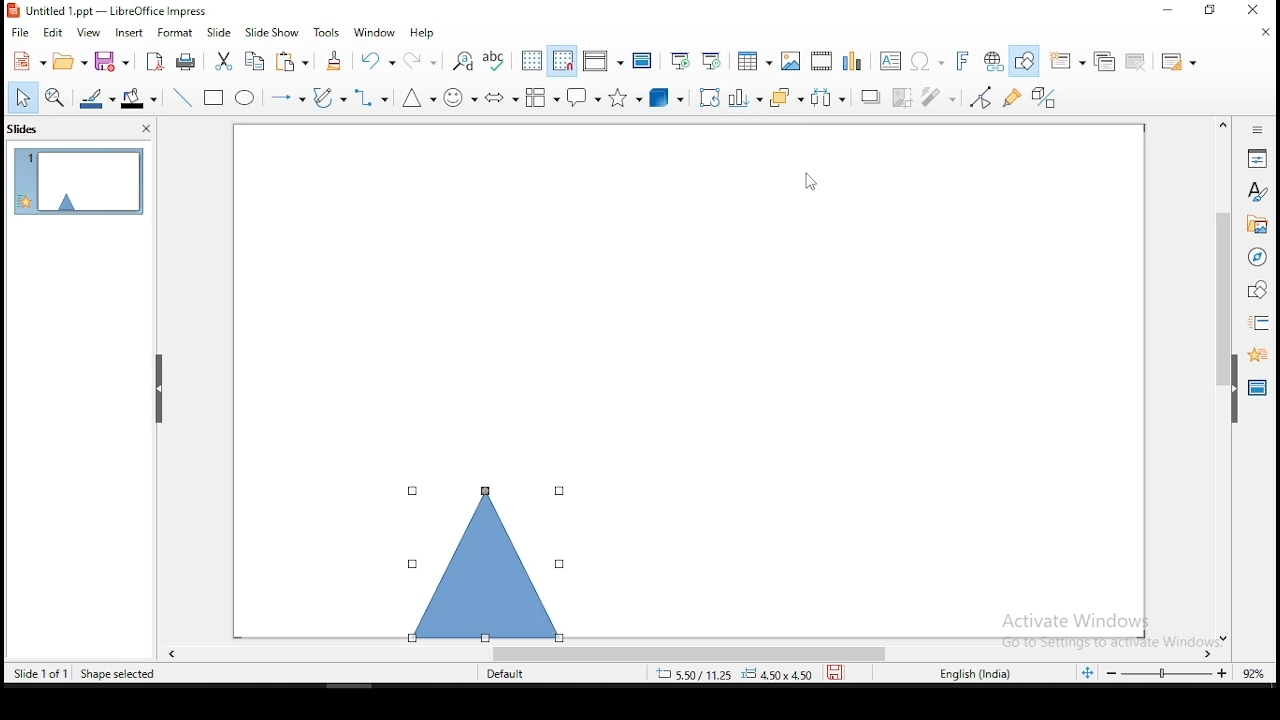 This screenshot has height=720, width=1280. I want to click on close, so click(1261, 8).